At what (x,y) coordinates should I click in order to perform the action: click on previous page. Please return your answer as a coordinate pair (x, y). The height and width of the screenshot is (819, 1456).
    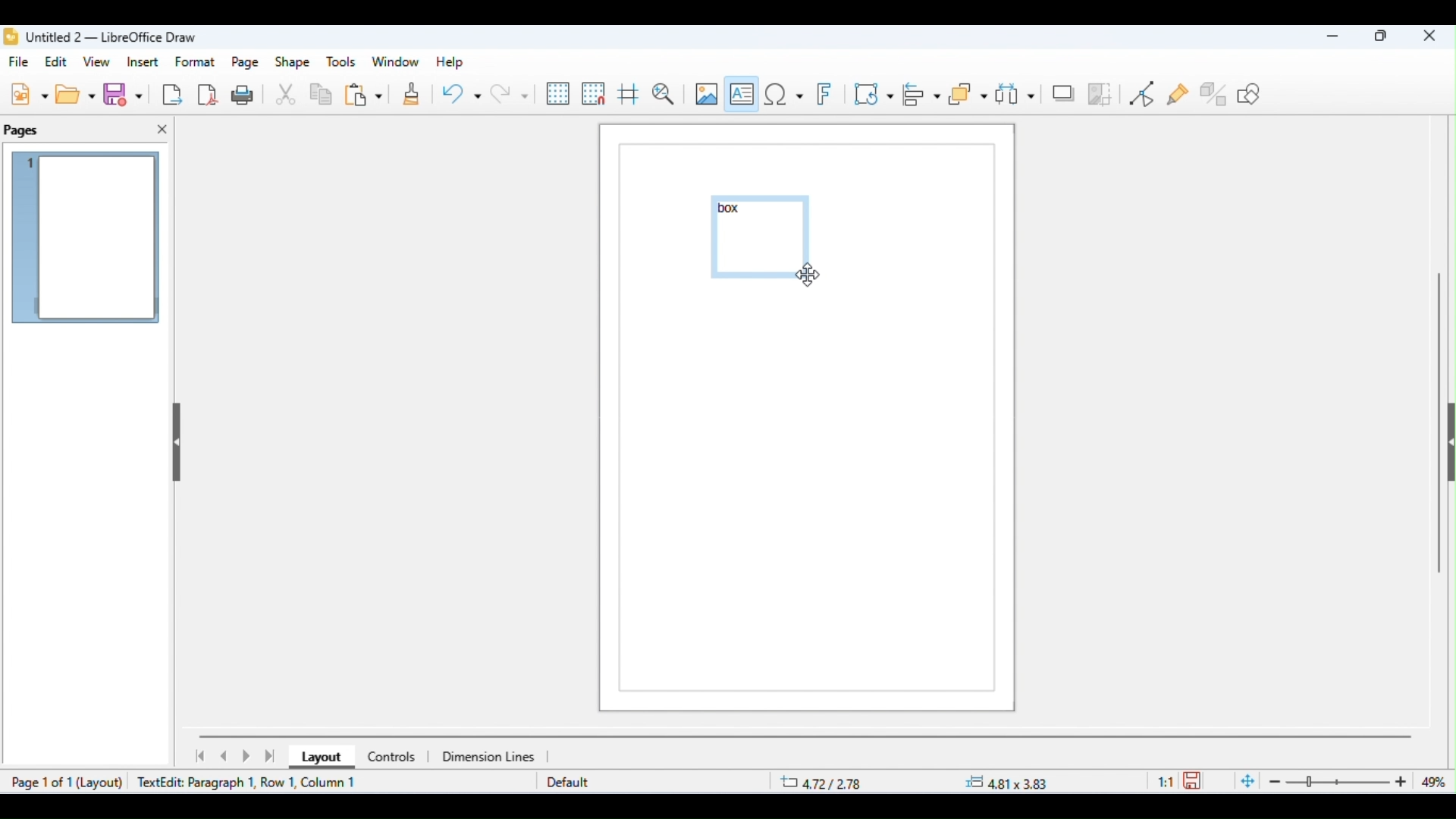
    Looking at the image, I should click on (224, 756).